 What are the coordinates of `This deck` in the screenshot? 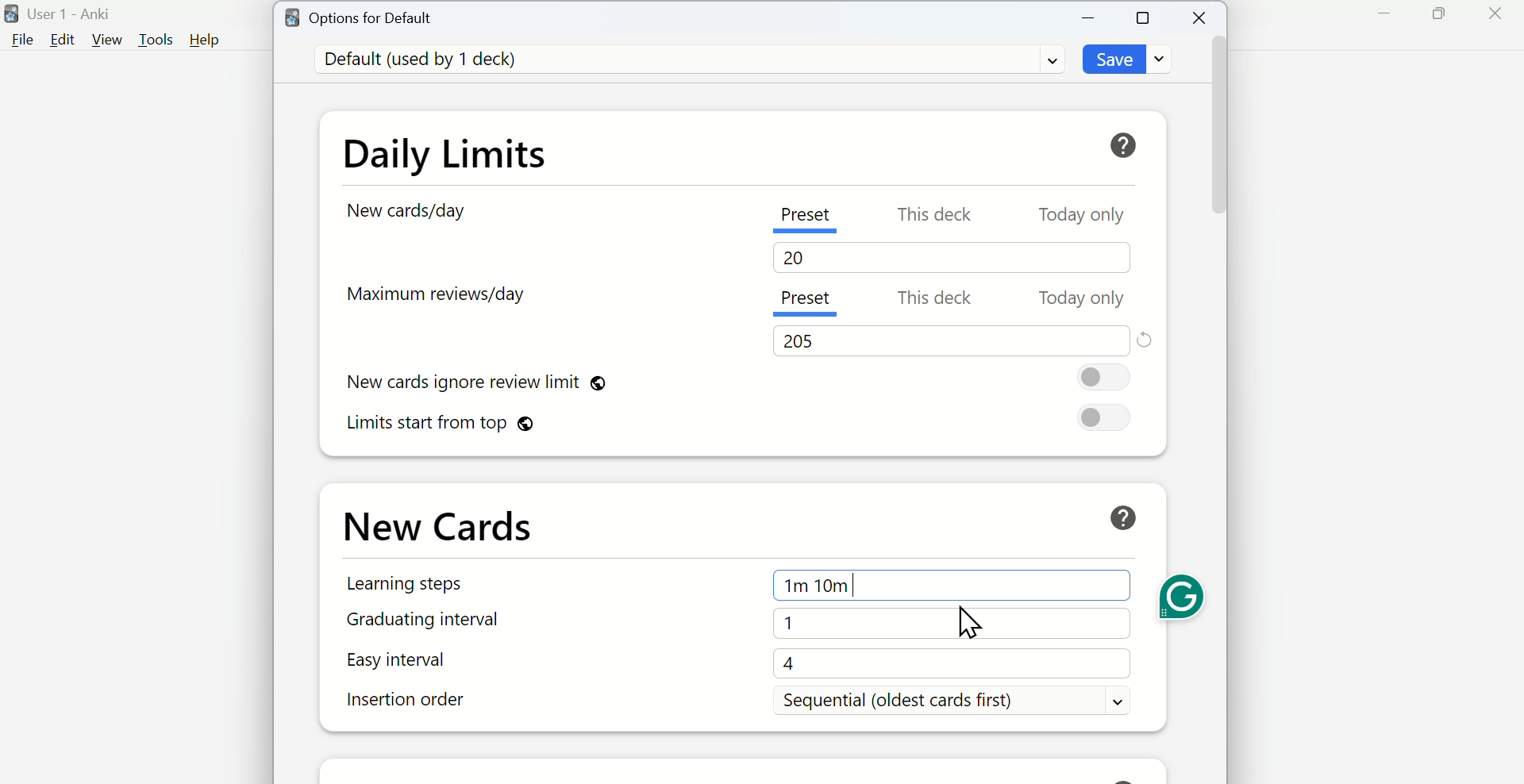 It's located at (932, 300).